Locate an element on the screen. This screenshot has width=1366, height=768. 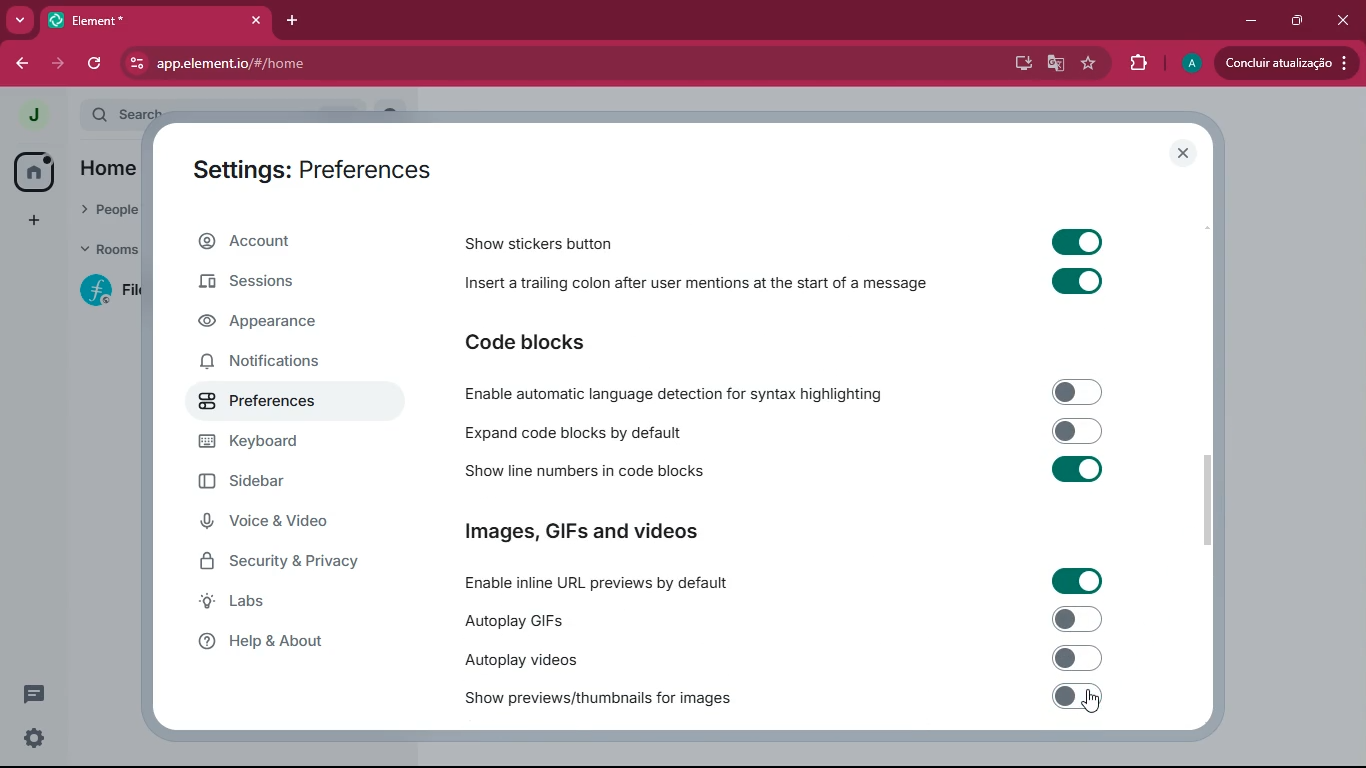
Security & Privacy is located at coordinates (290, 564).